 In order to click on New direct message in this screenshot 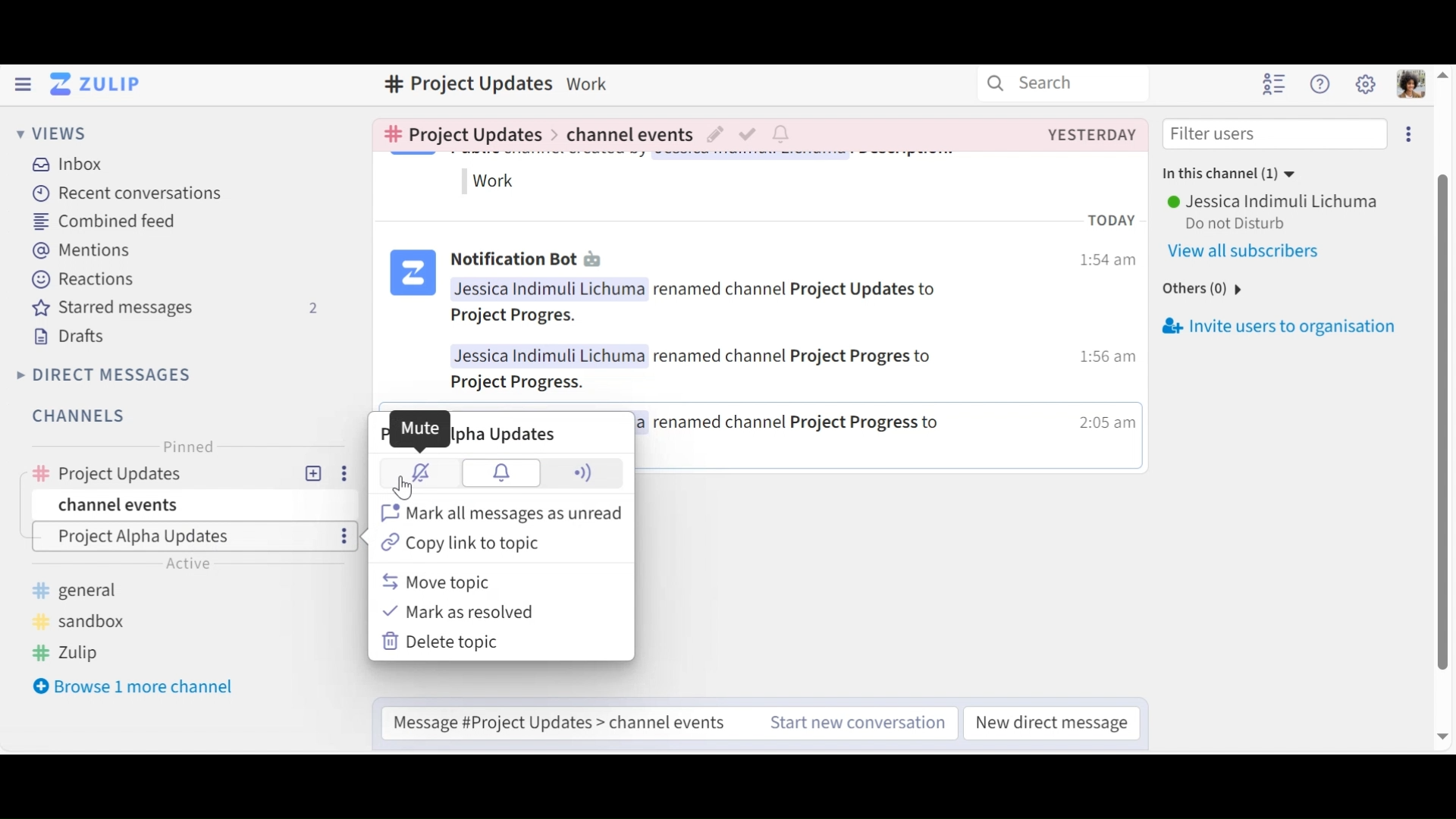, I will do `click(1054, 720)`.